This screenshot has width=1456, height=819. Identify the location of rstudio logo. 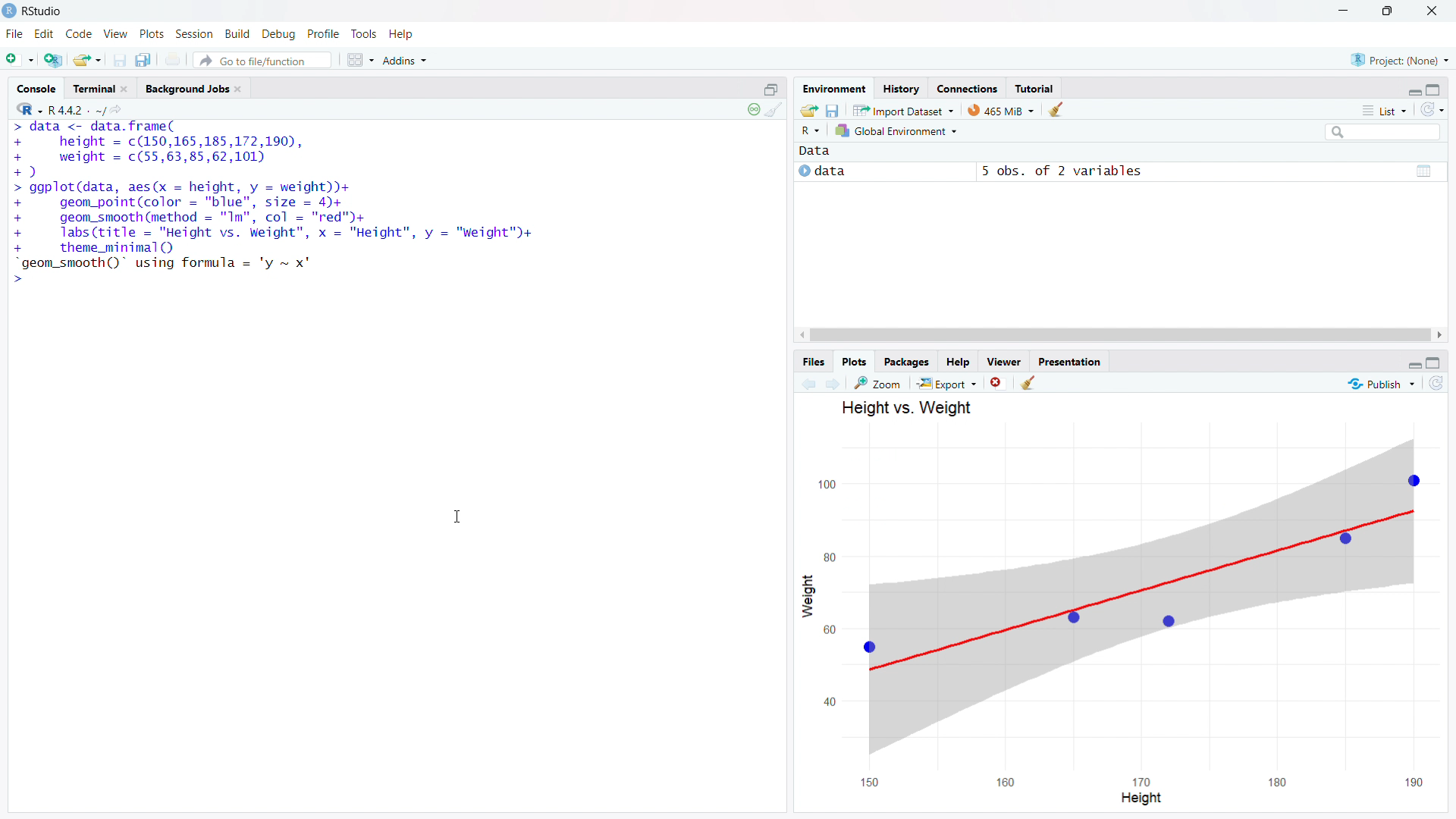
(9, 11).